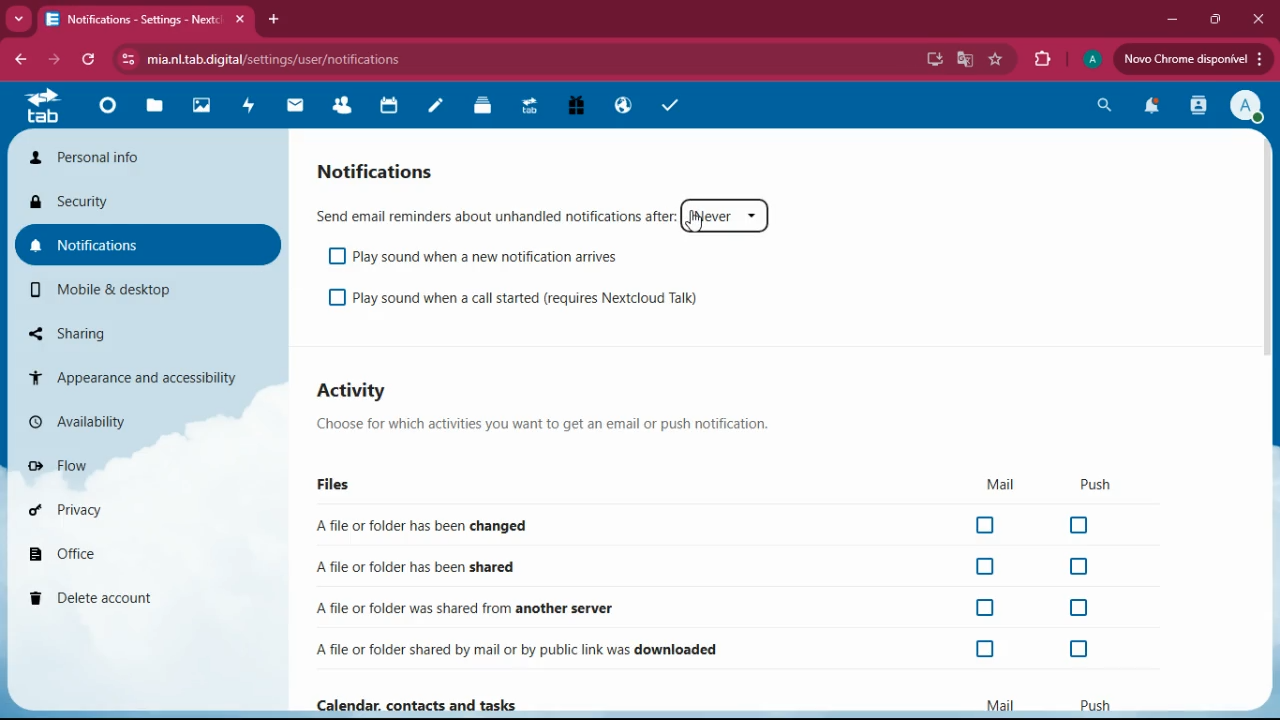  I want to click on tab, so click(530, 109).